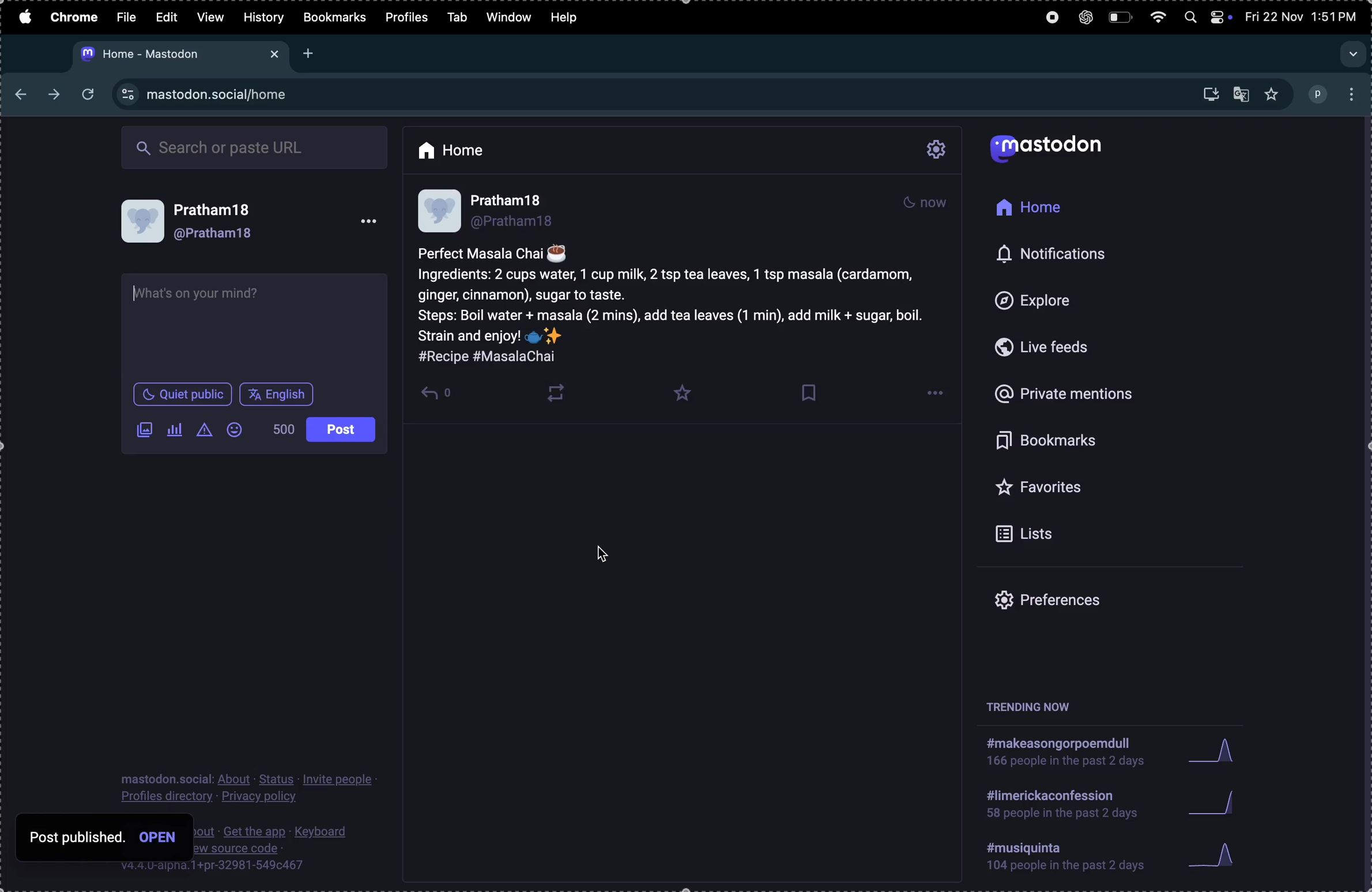 The image size is (1372, 892). I want to click on V.4.4. U-alpha, so click(155, 868).